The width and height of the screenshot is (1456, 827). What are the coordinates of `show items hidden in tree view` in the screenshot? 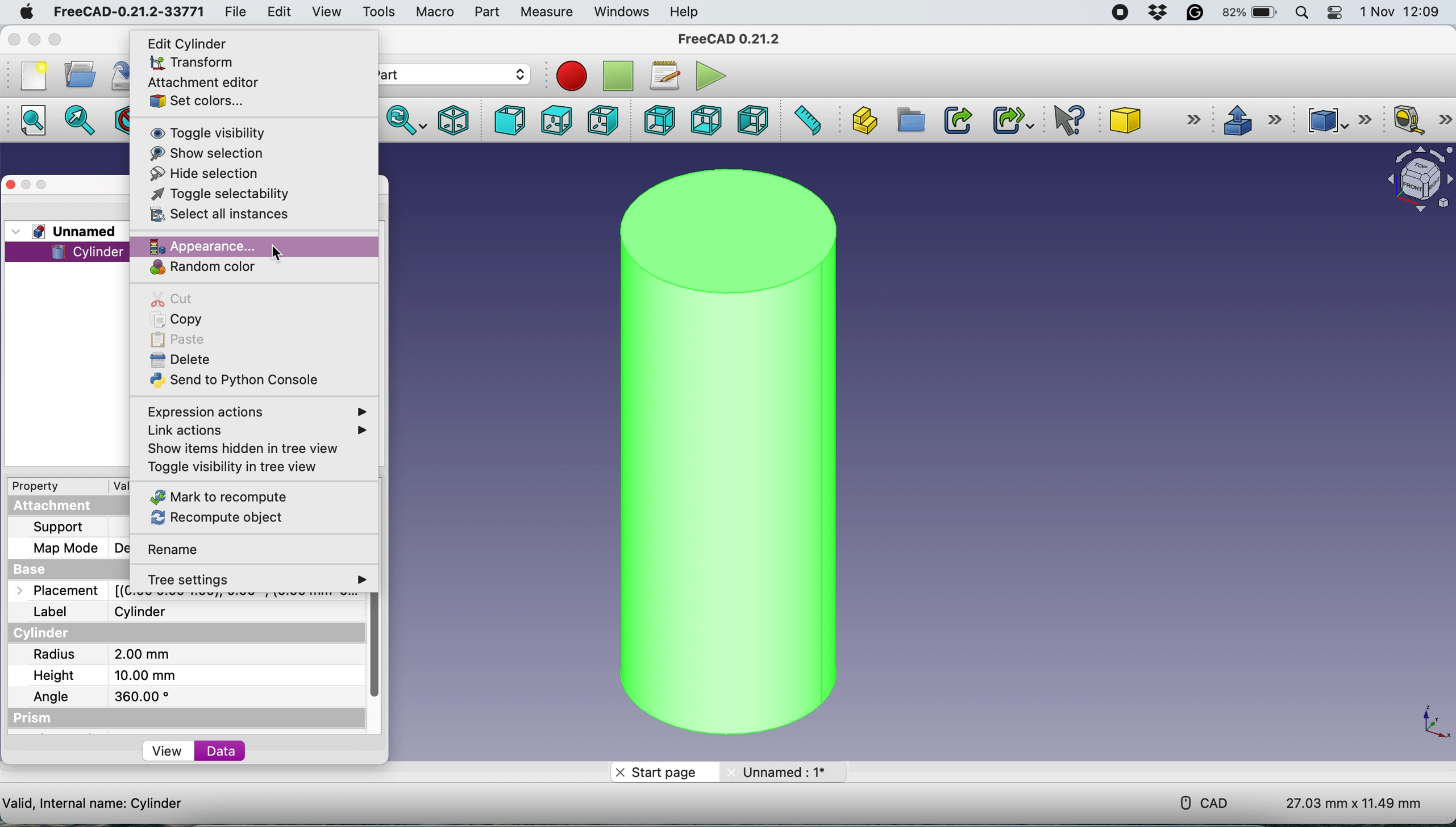 It's located at (242, 448).